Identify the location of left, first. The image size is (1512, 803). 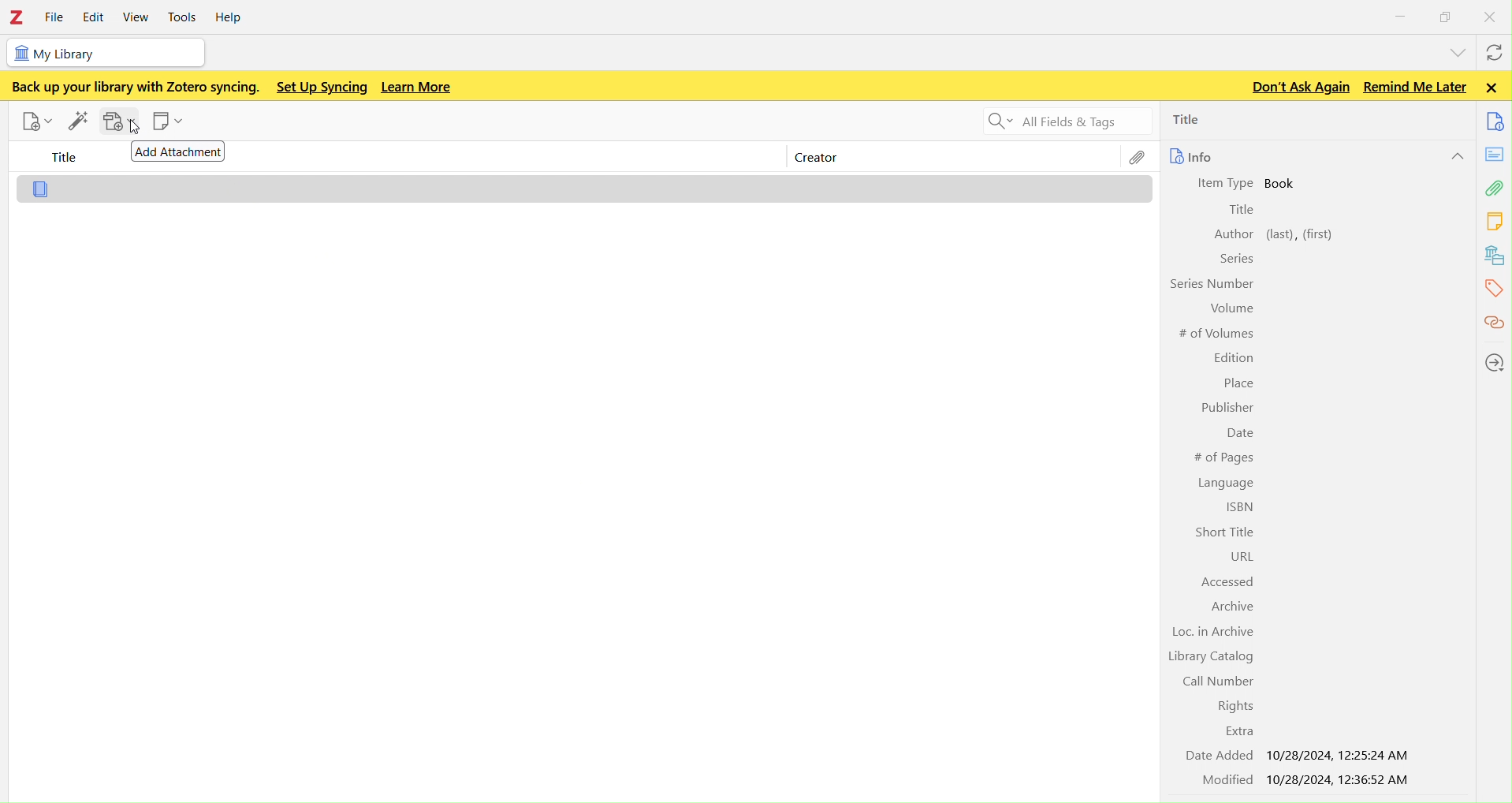
(1301, 233).